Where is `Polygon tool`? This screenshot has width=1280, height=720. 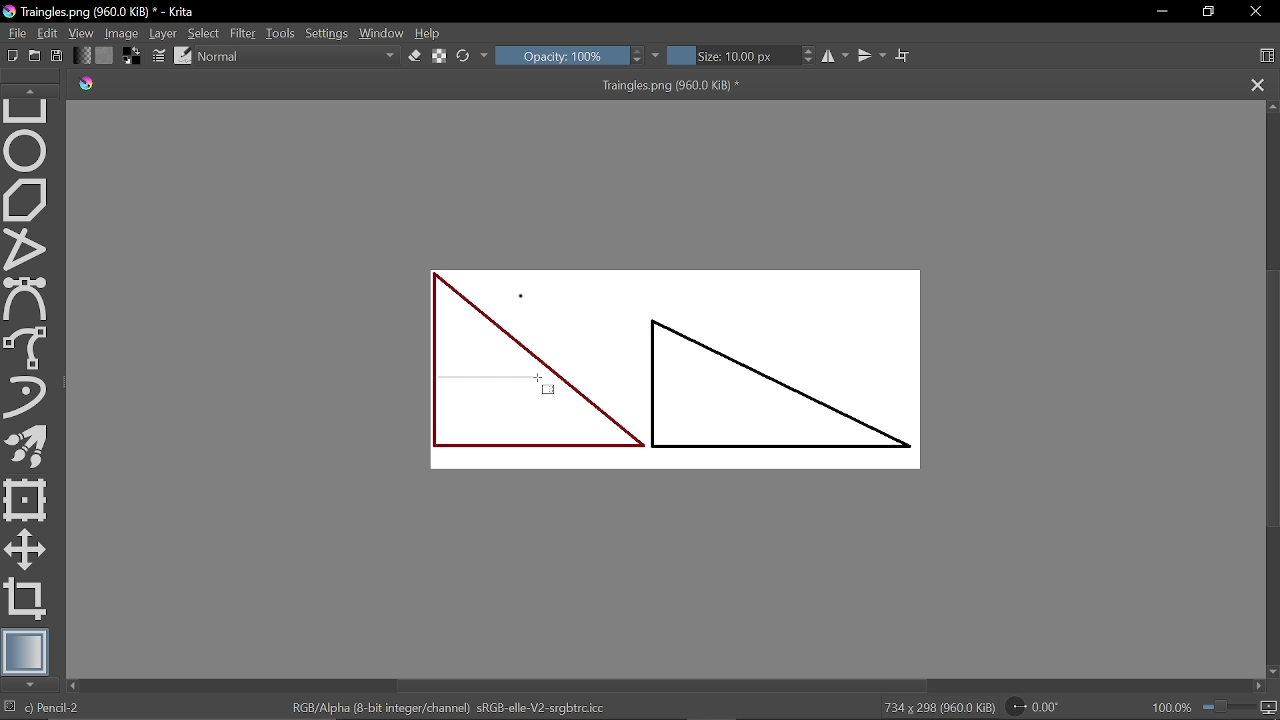
Polygon tool is located at coordinates (28, 200).